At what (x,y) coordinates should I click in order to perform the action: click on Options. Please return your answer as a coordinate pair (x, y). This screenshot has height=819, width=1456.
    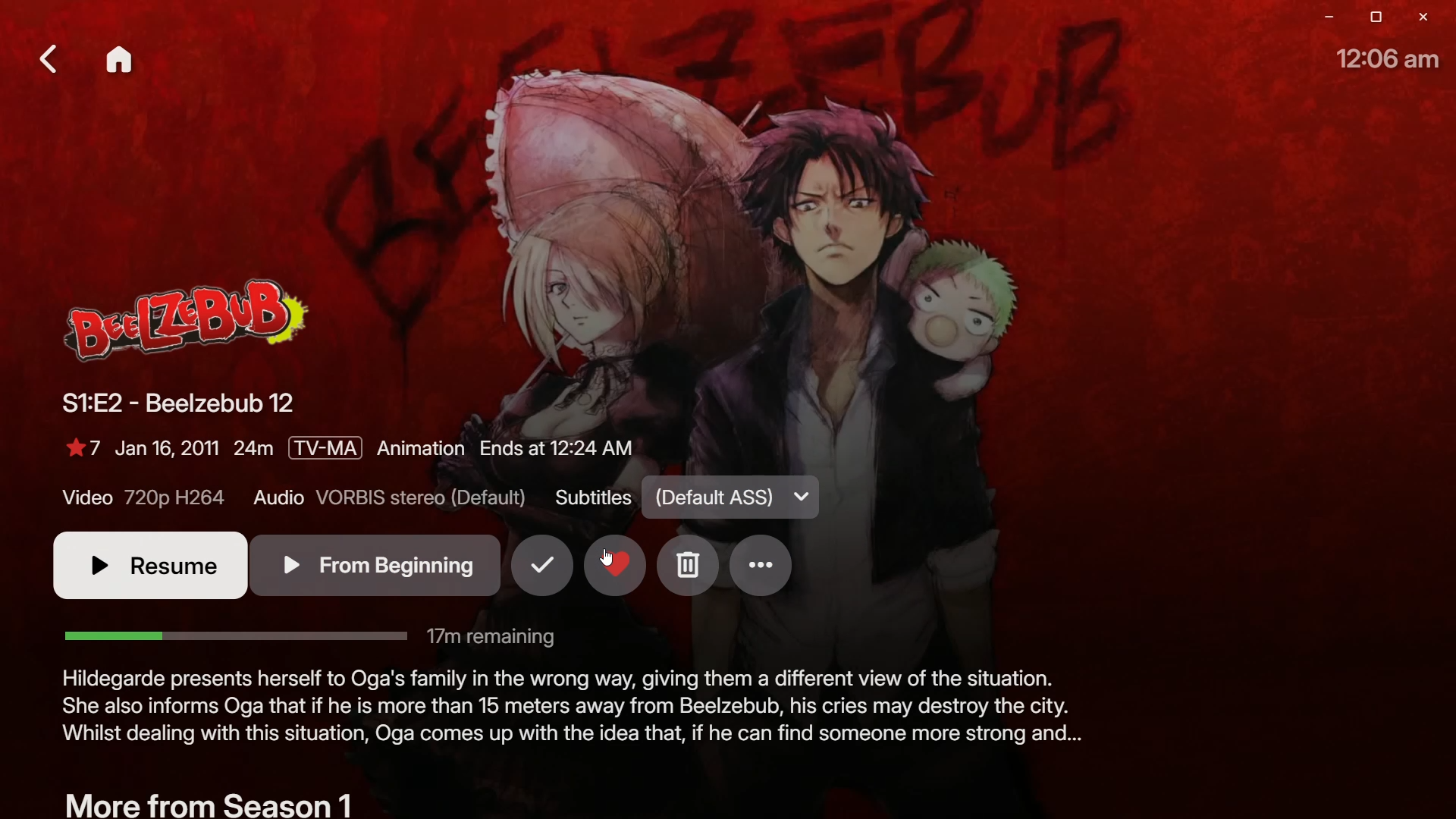
    Looking at the image, I should click on (769, 566).